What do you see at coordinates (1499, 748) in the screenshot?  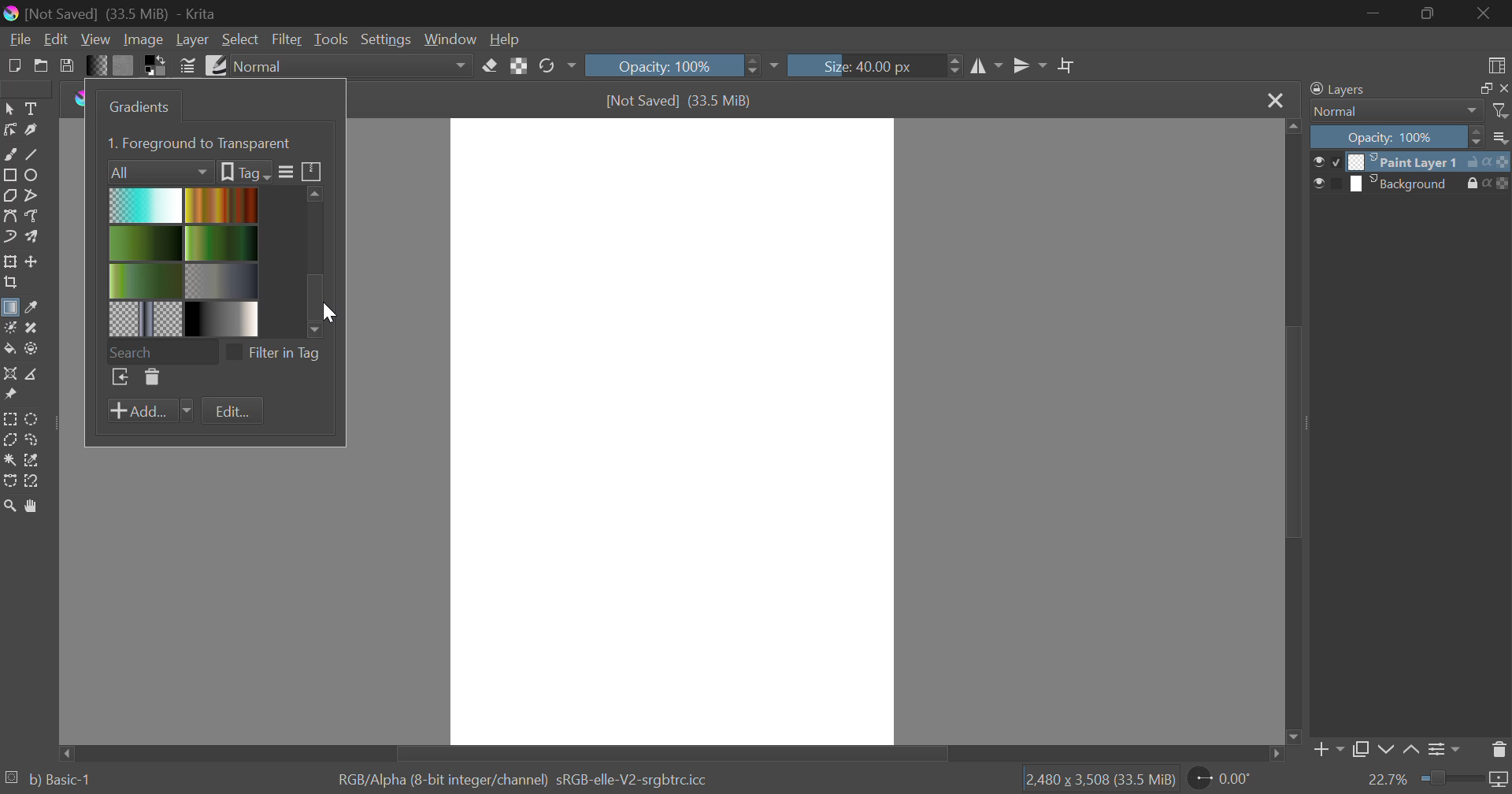 I see `Delete Layer` at bounding box center [1499, 748].